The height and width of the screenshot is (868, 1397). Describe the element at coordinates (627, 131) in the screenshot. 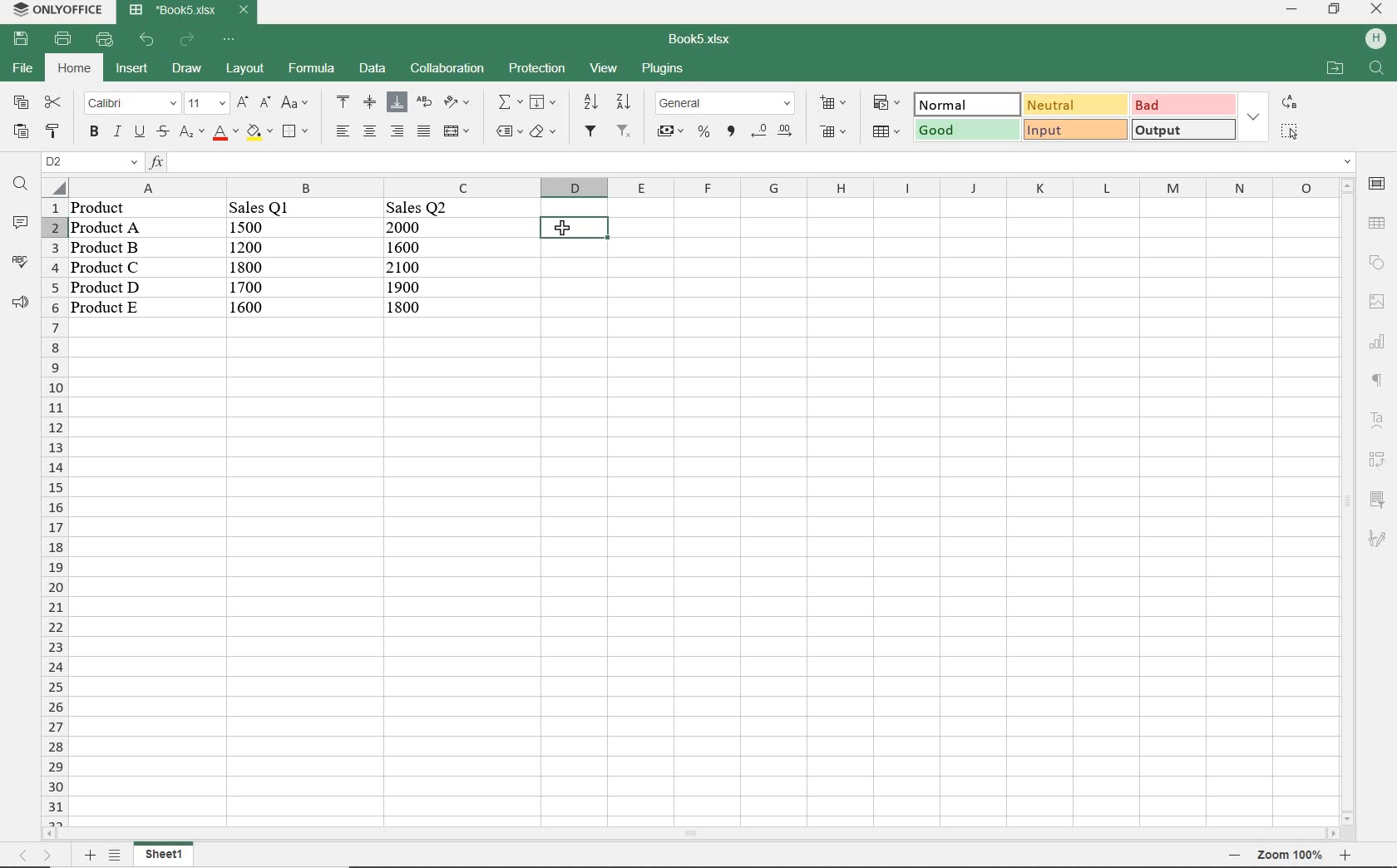

I see `remove filter` at that location.